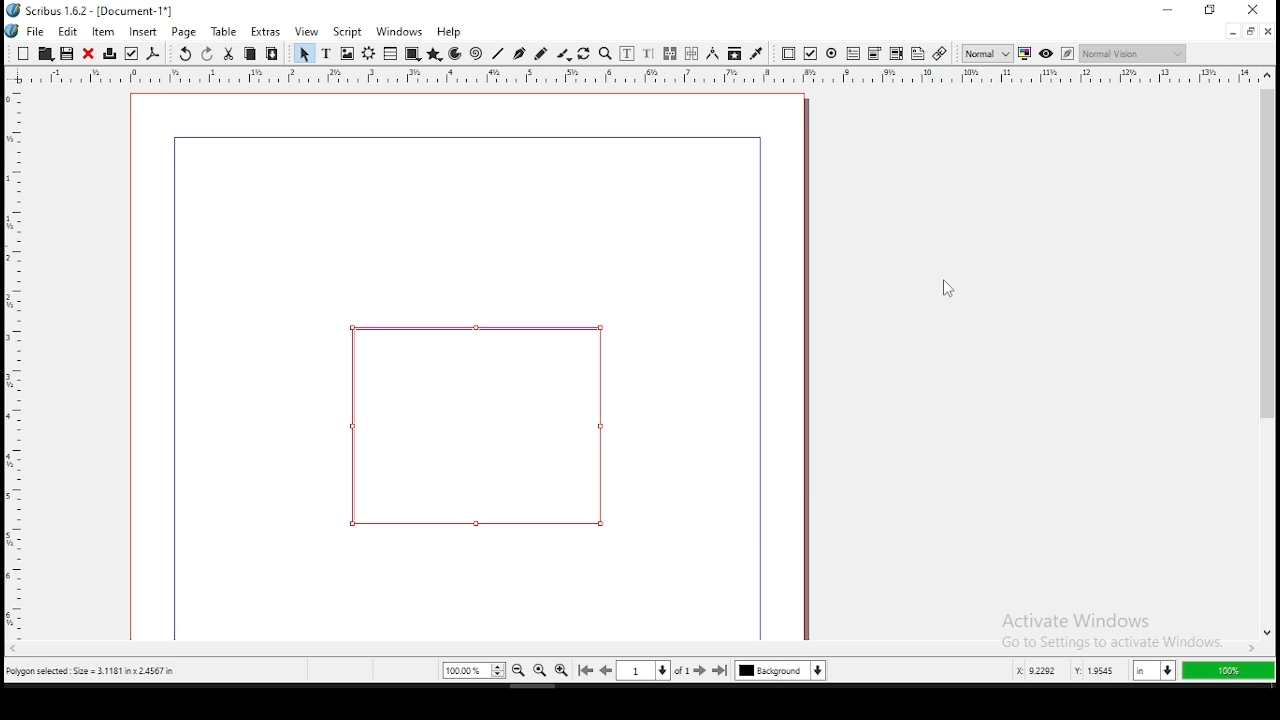 Image resolution: width=1280 pixels, height=720 pixels. What do you see at coordinates (854, 54) in the screenshot?
I see `pdf text field` at bounding box center [854, 54].